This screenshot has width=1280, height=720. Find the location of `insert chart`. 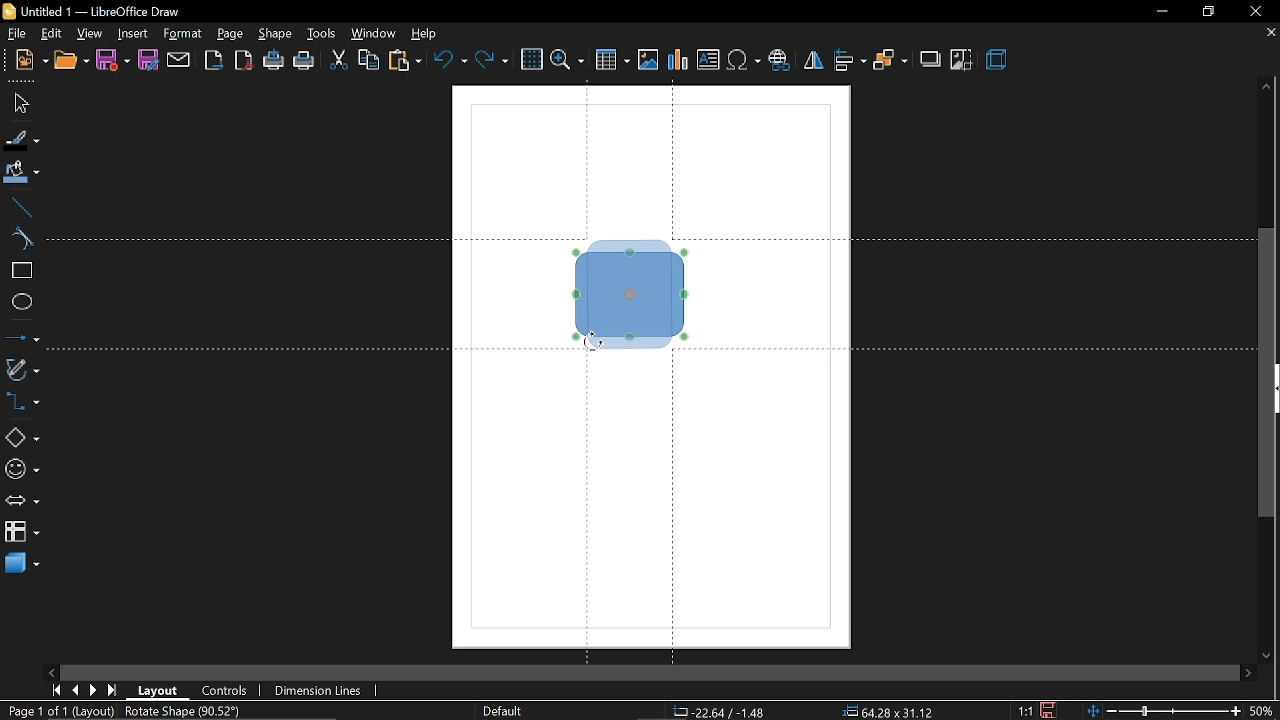

insert chart is located at coordinates (676, 60).